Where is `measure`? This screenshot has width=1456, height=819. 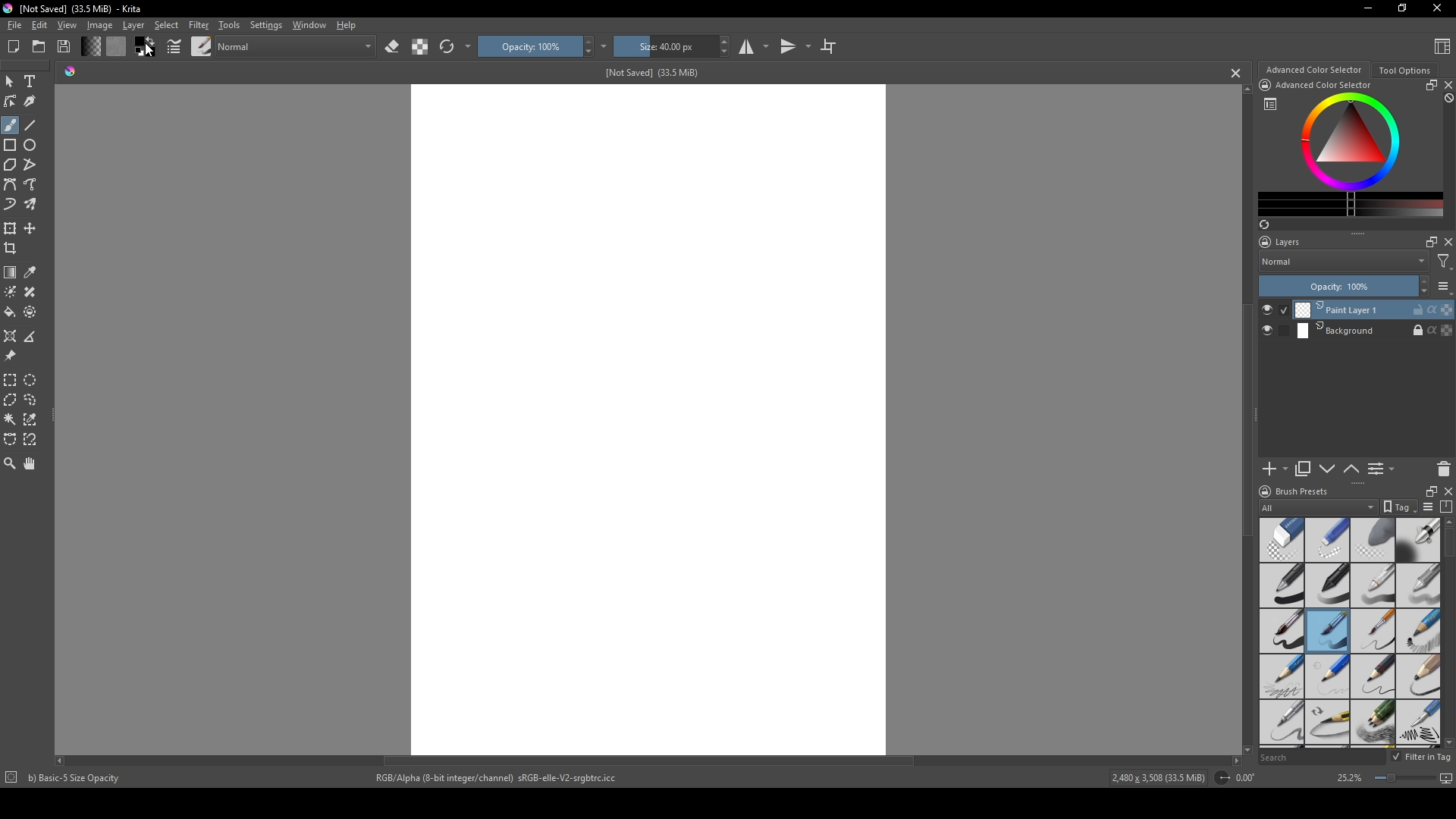 measure is located at coordinates (33, 337).